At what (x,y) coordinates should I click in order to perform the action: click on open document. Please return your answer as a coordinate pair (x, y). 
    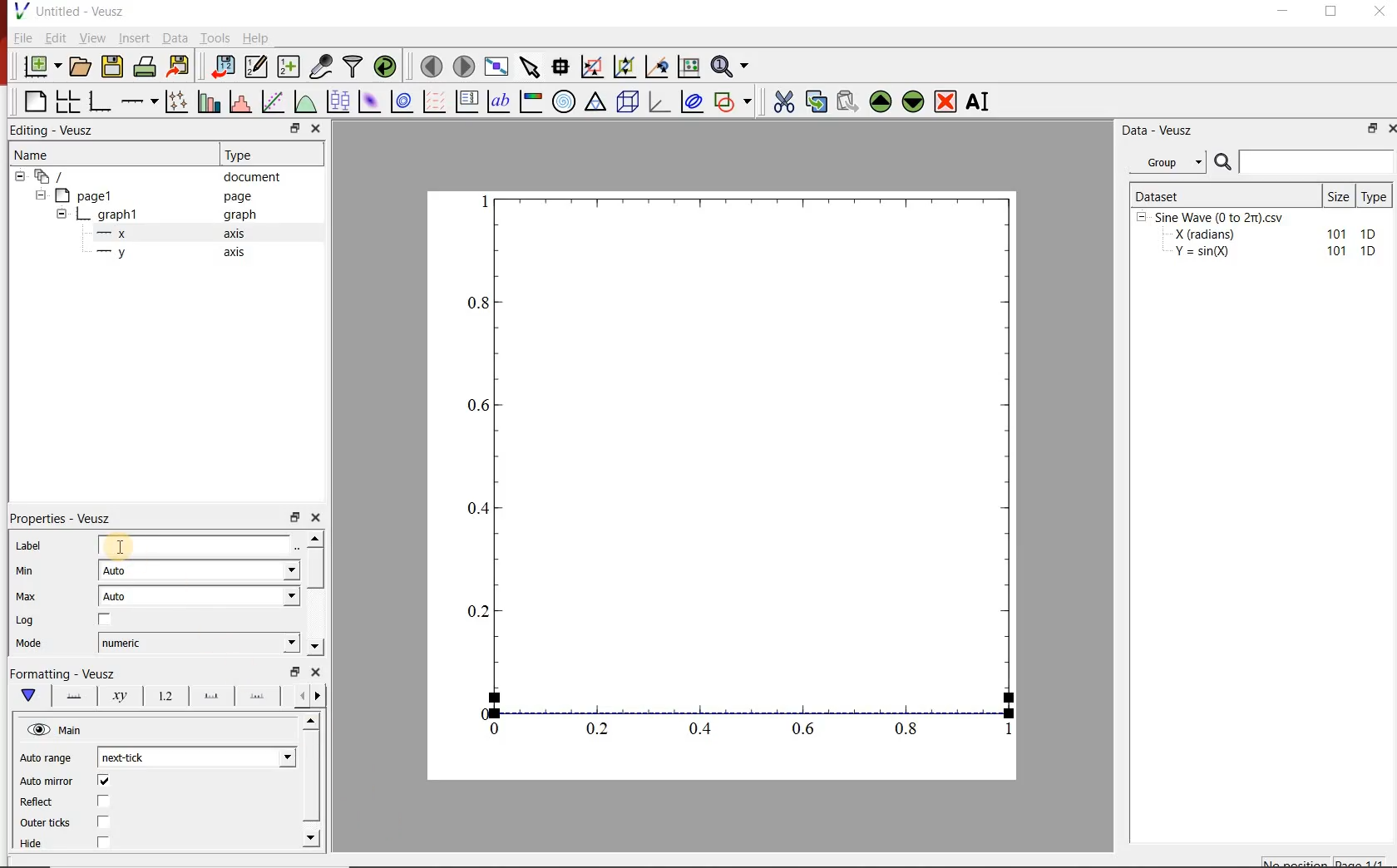
    Looking at the image, I should click on (81, 67).